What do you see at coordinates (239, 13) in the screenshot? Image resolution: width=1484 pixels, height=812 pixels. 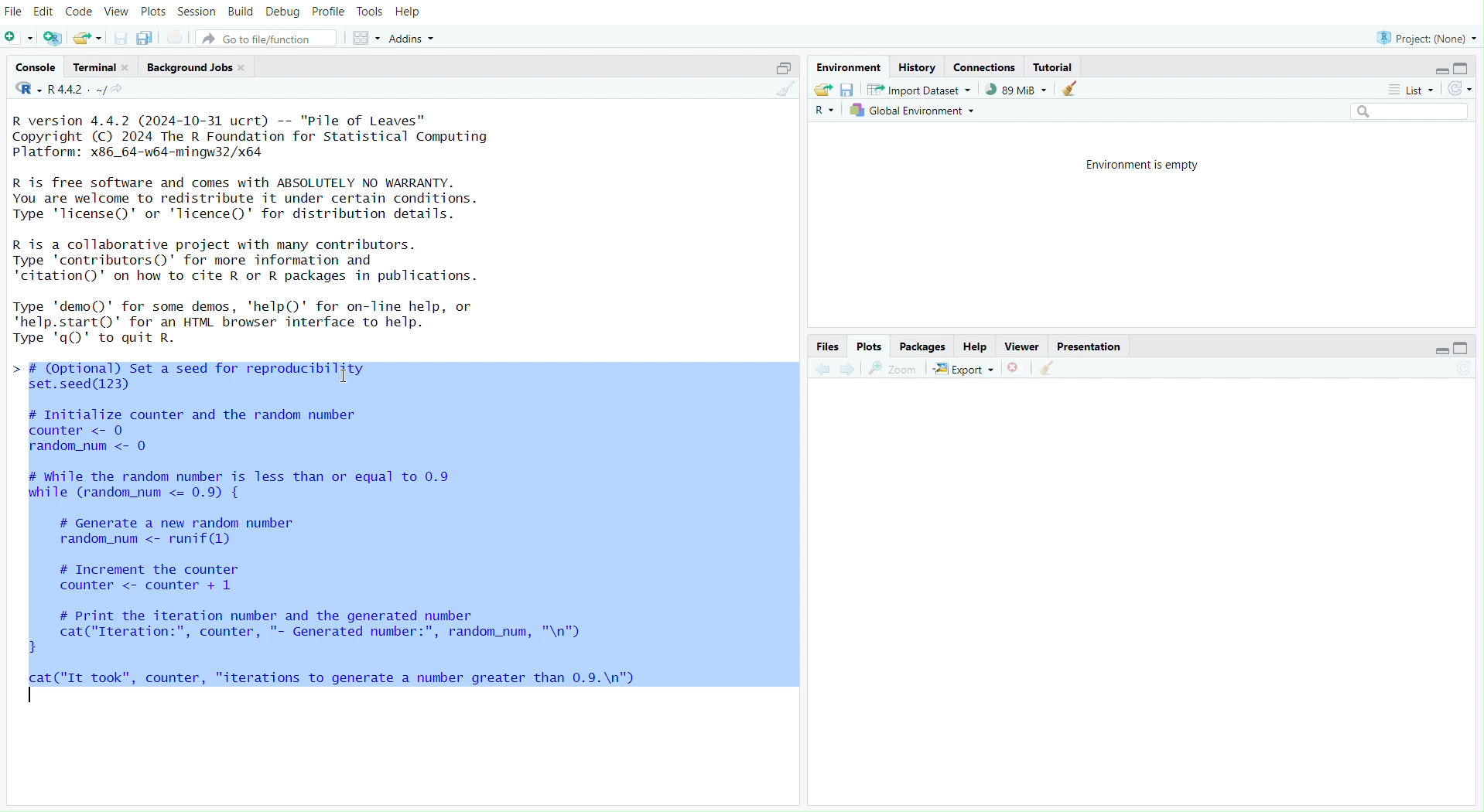 I see `Build` at bounding box center [239, 13].